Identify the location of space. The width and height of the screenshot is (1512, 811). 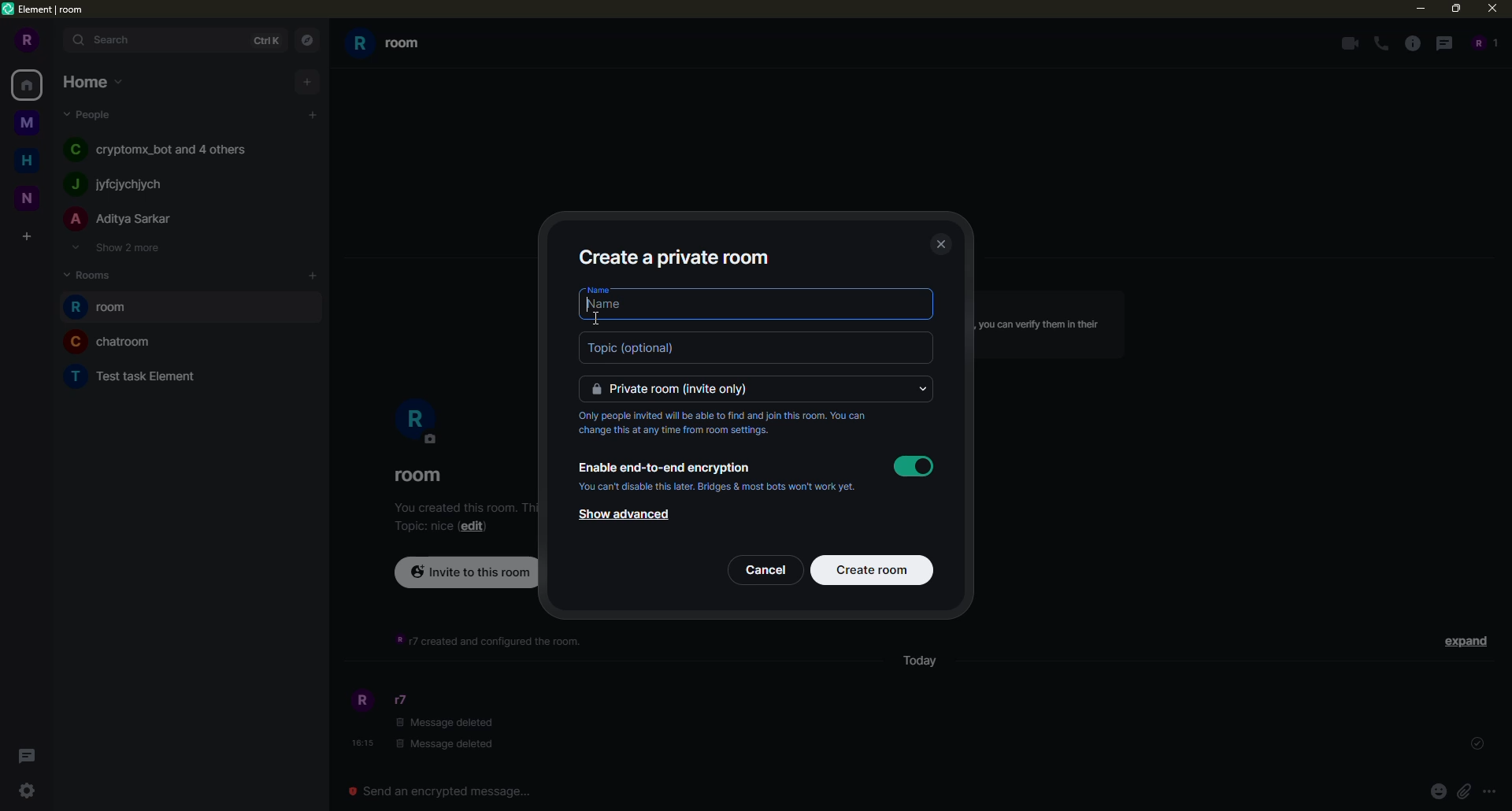
(28, 121).